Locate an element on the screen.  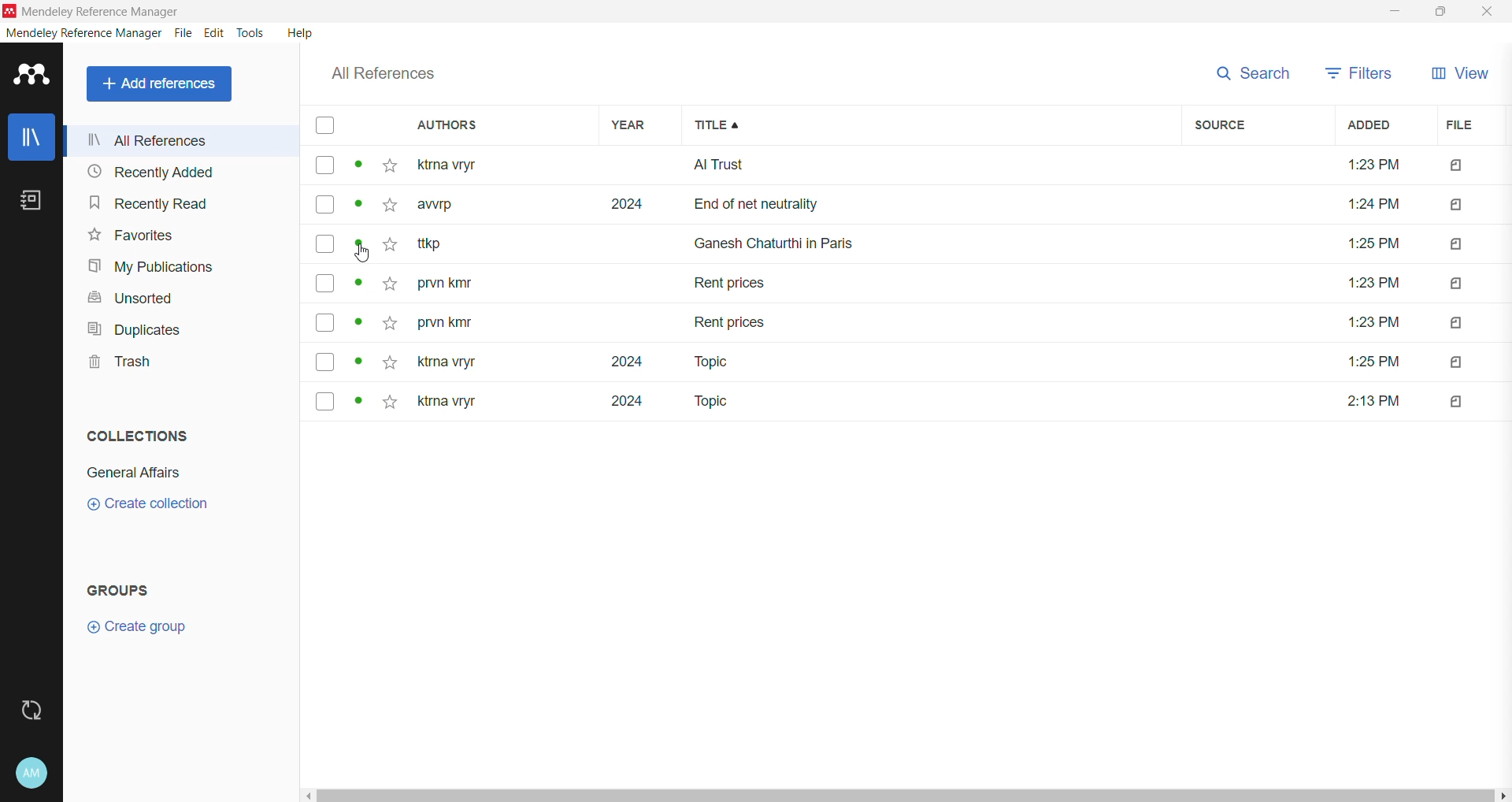
Trash is located at coordinates (117, 364).